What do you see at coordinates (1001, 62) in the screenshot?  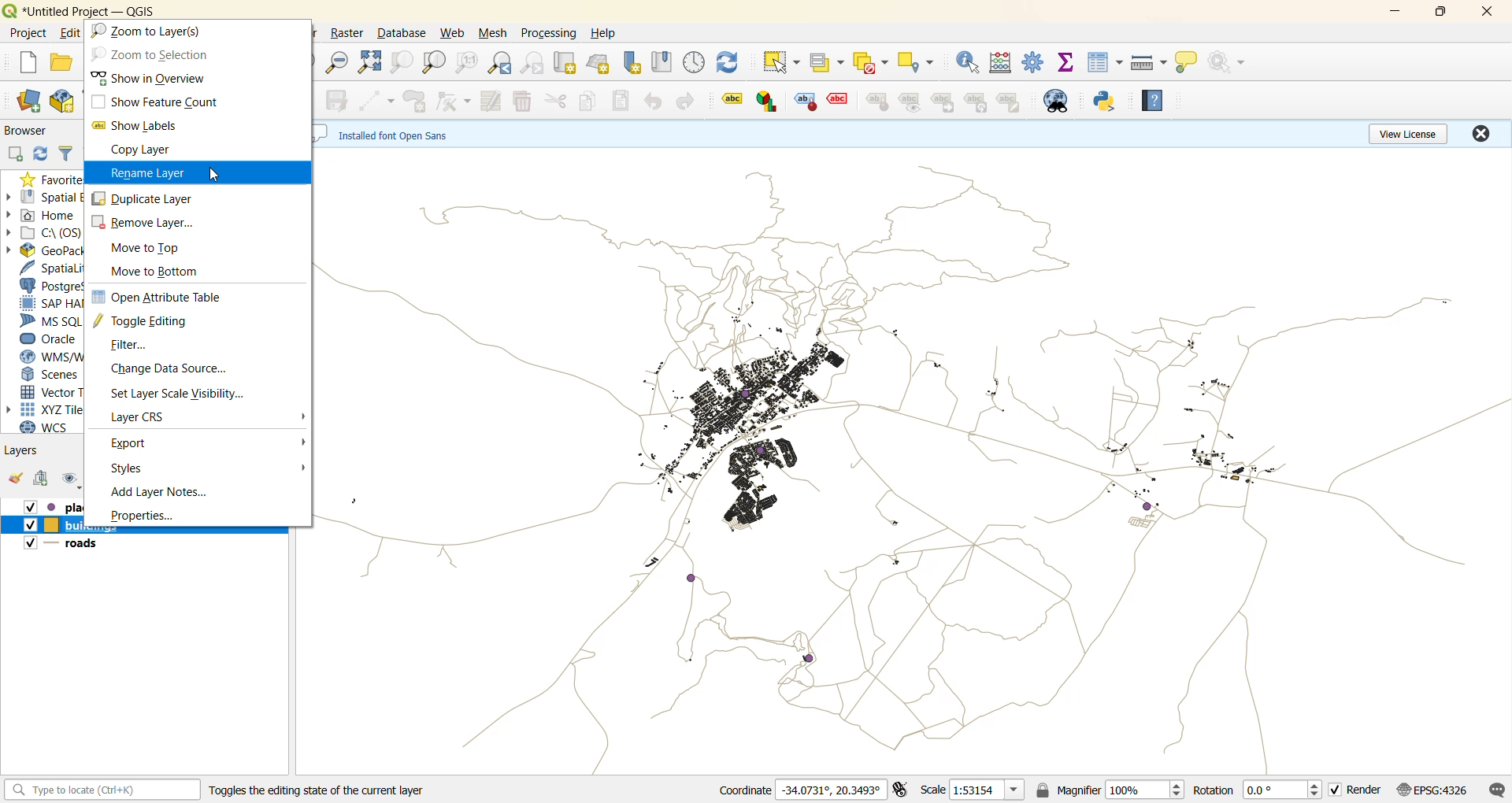 I see `calculator` at bounding box center [1001, 62].